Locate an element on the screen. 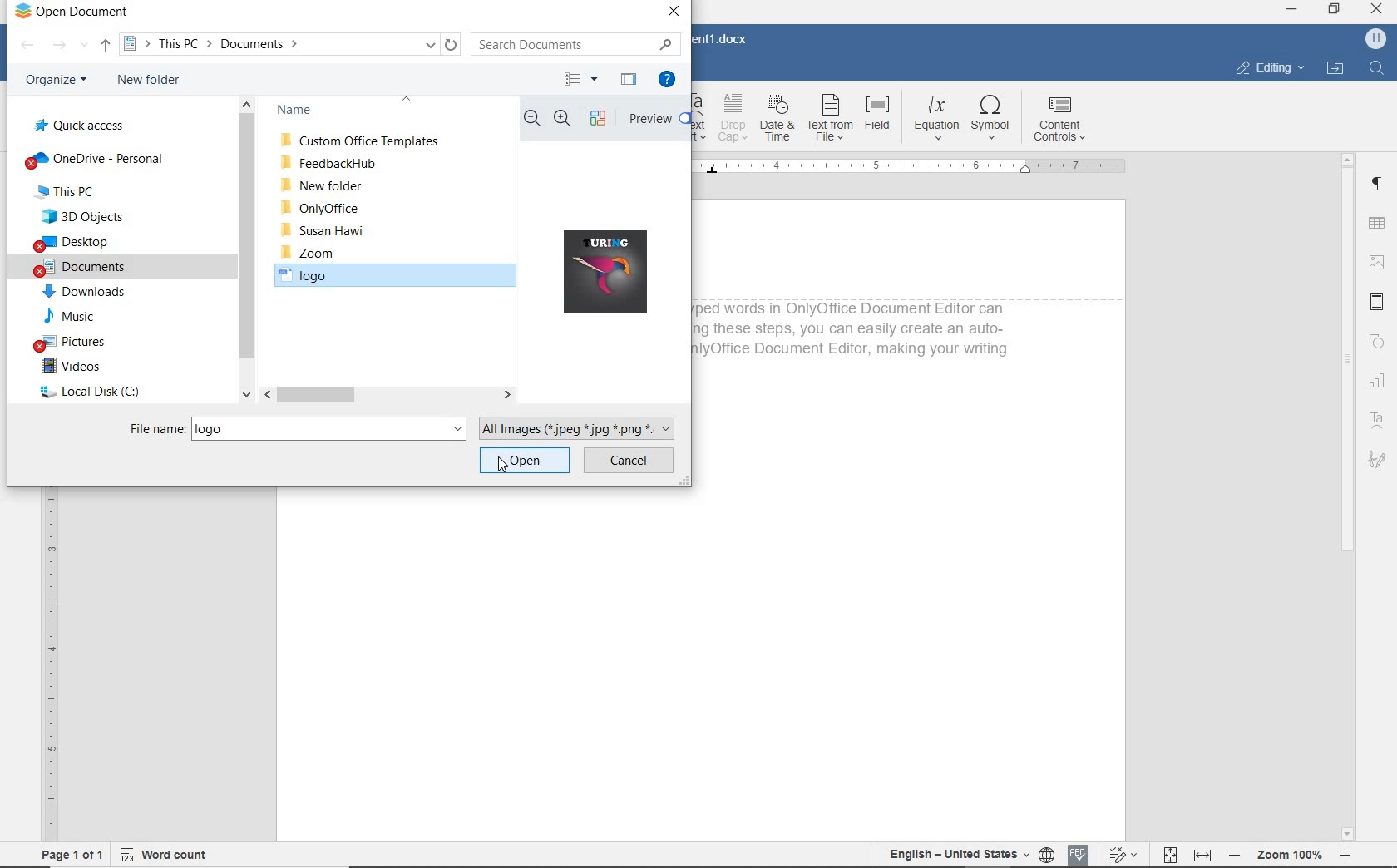 The height and width of the screenshot is (868, 1397). LOGO is located at coordinates (399, 279).